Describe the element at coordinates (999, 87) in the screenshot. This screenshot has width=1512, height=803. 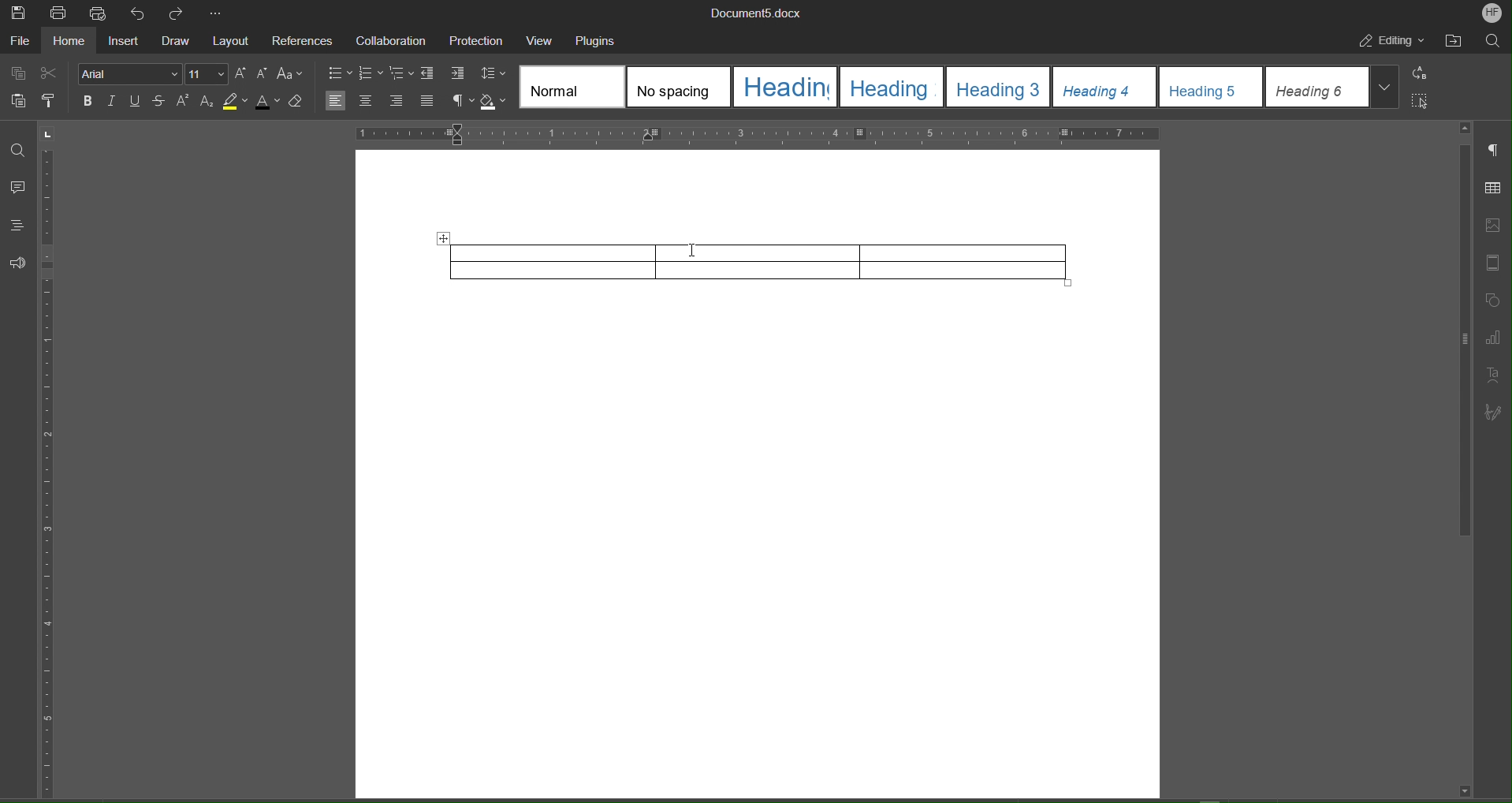
I see `heading 3` at that location.